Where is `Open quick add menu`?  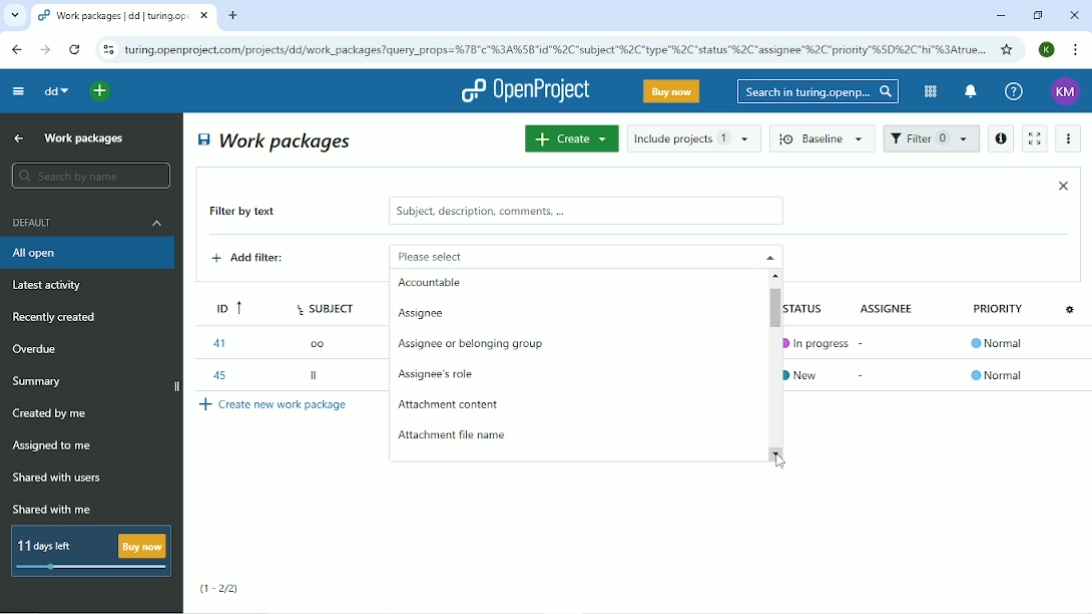 Open quick add menu is located at coordinates (101, 91).